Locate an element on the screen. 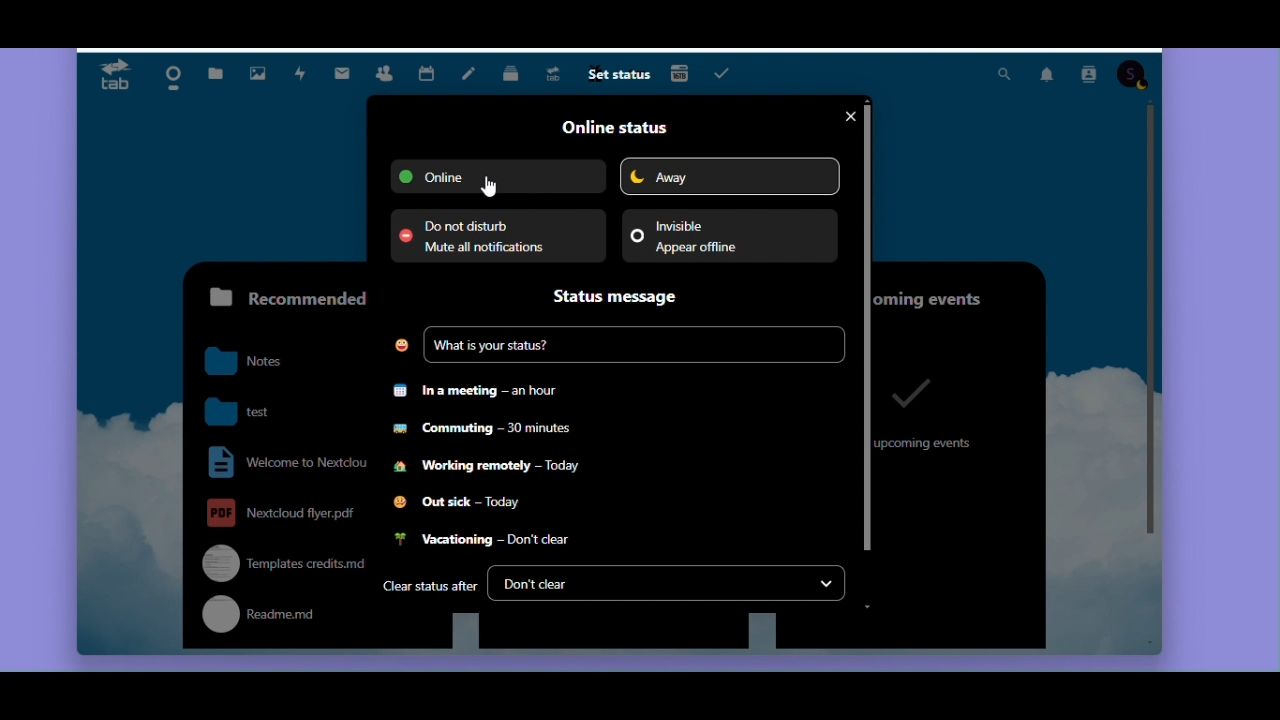 This screenshot has height=720, width=1280. Out sick today is located at coordinates (462, 504).